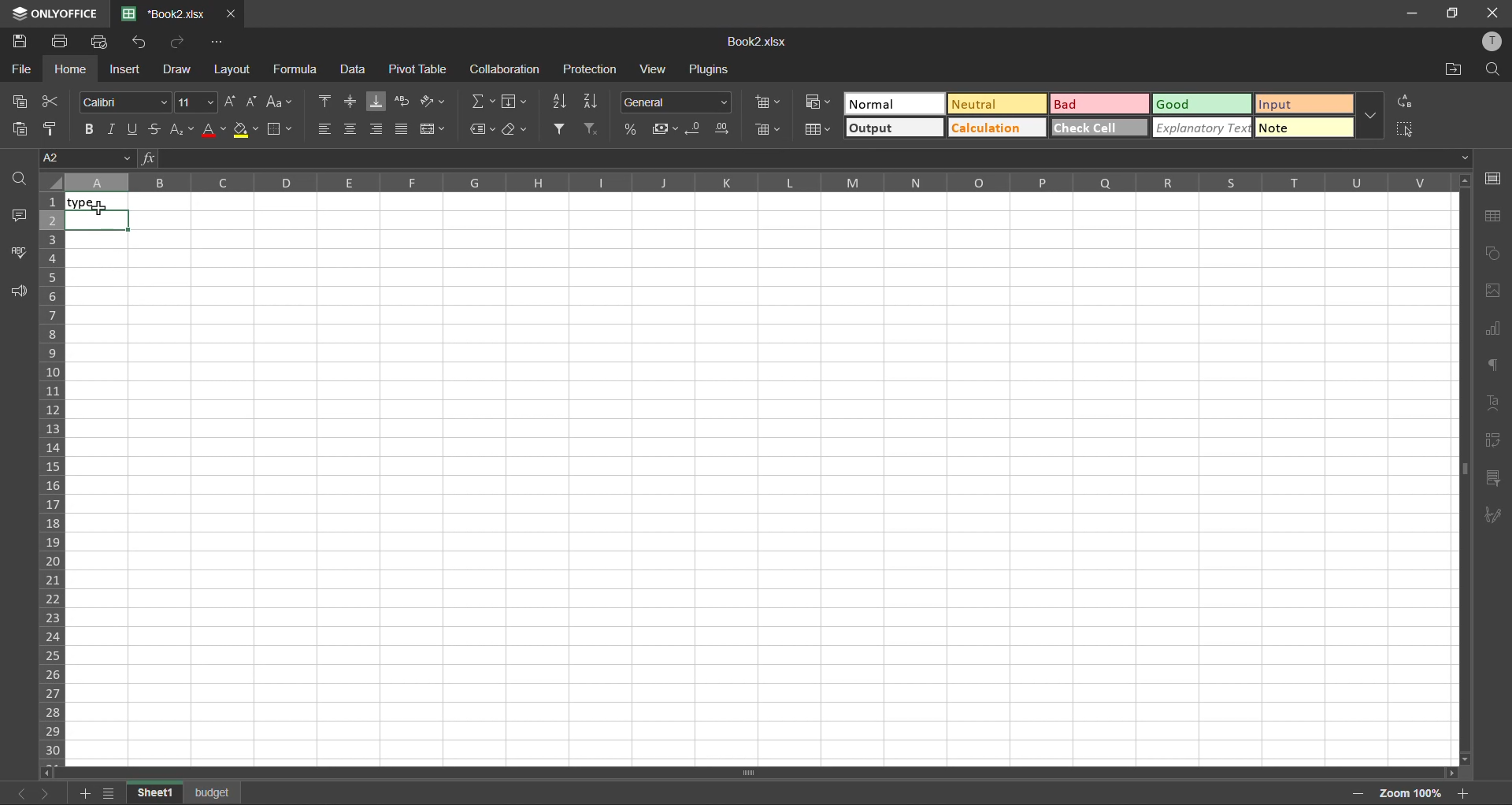 This screenshot has height=805, width=1512. Describe the element at coordinates (20, 217) in the screenshot. I see `comments` at that location.